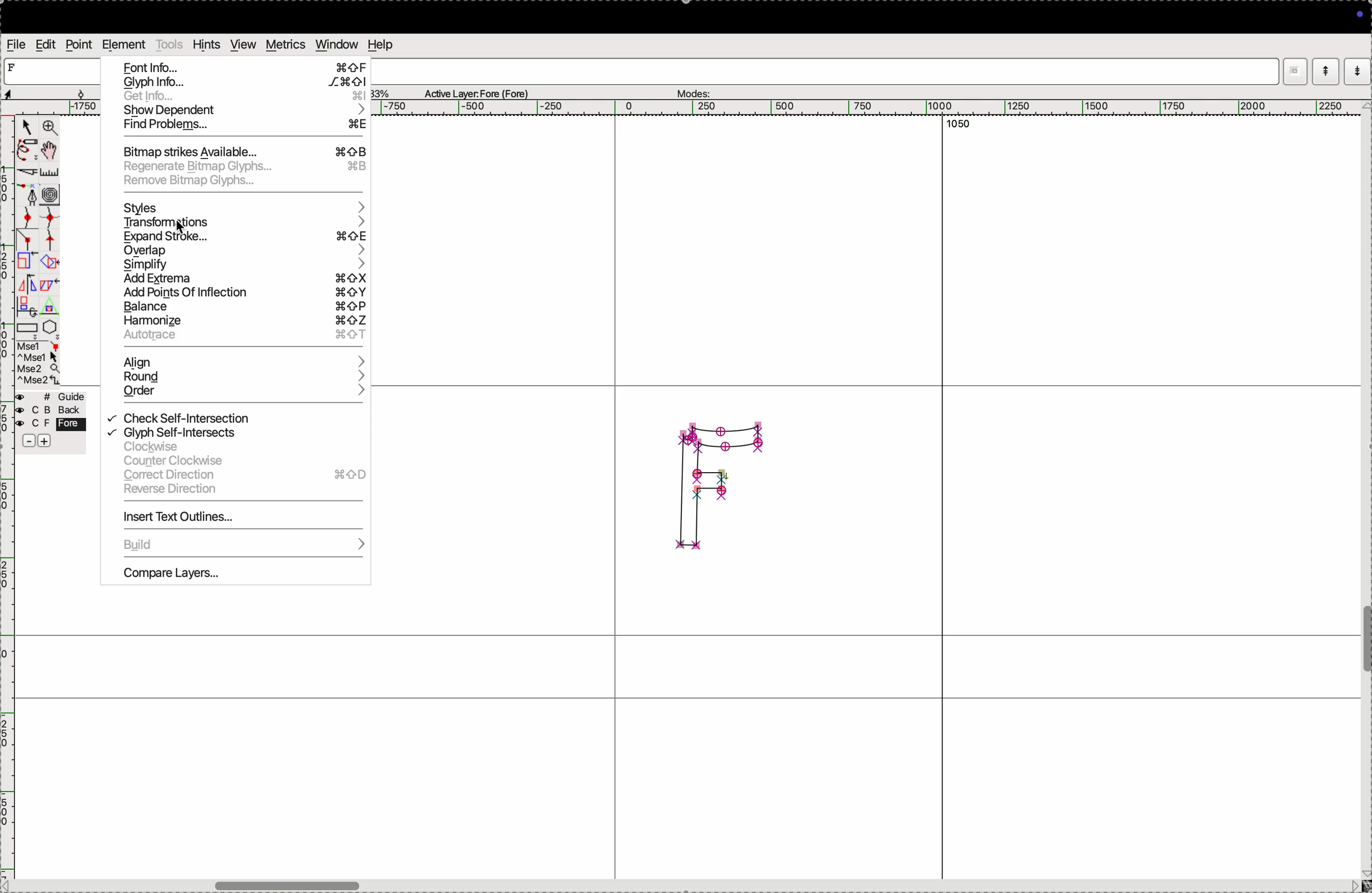 The width and height of the screenshot is (1372, 893). What do you see at coordinates (243, 166) in the screenshot?
I see `regenrate bit map glyph` at bounding box center [243, 166].